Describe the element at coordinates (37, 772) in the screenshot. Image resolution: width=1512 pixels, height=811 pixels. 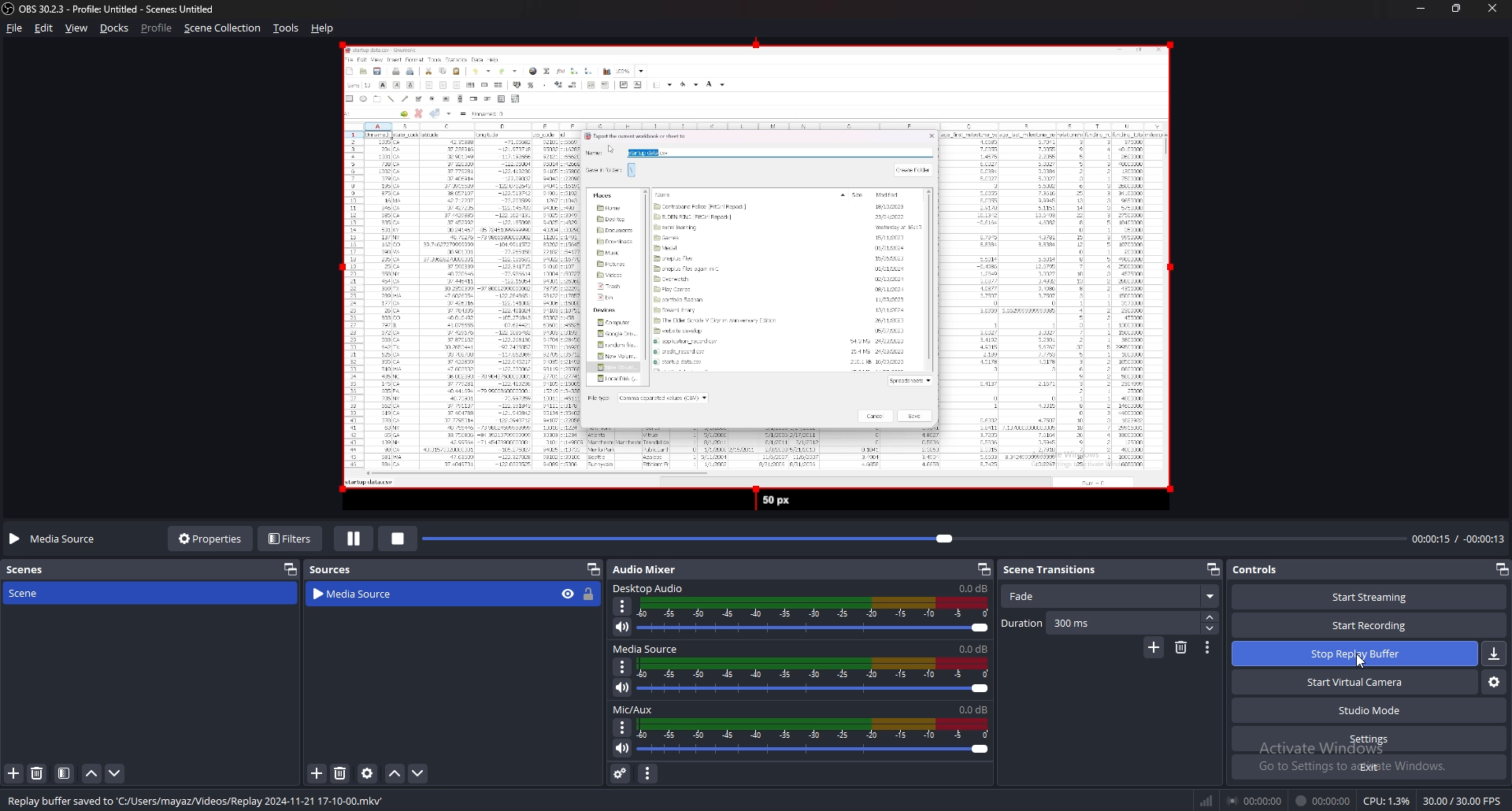
I see `delete scene` at that location.